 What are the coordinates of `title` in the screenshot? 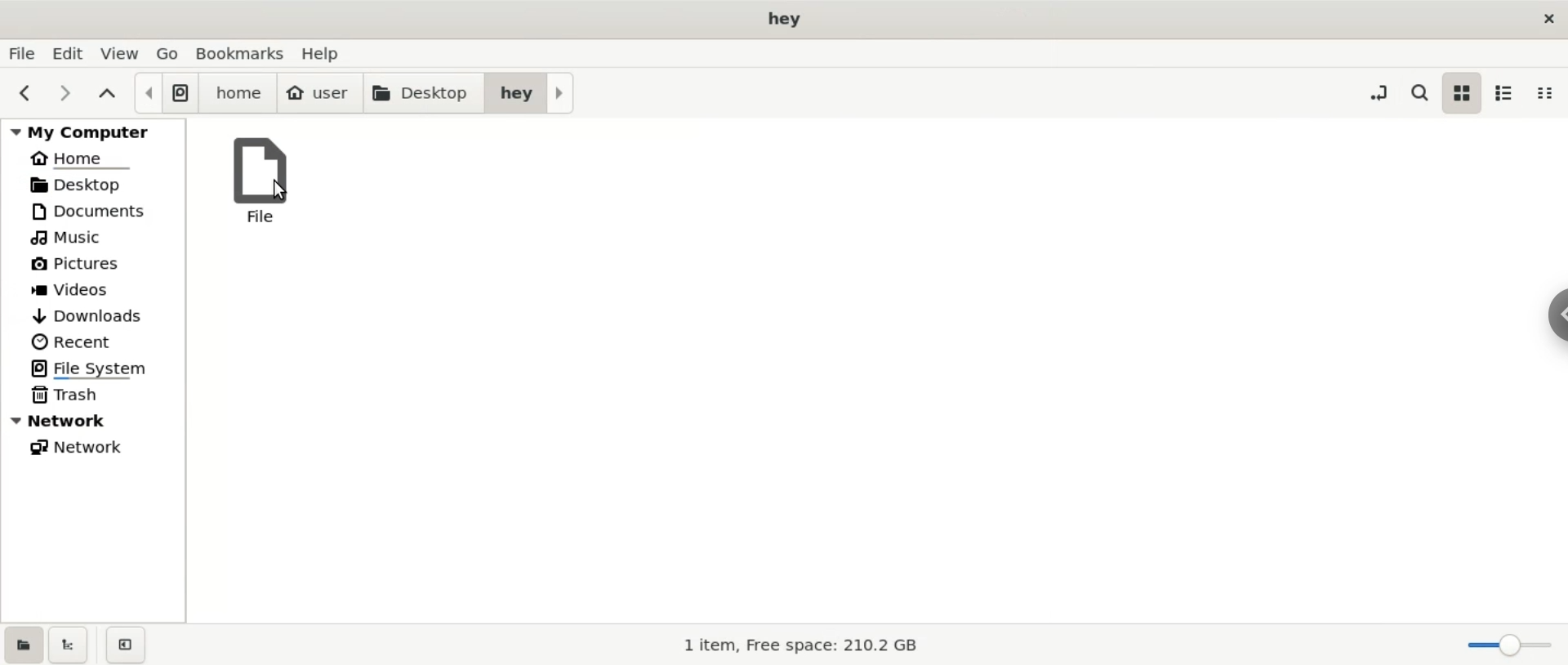 It's located at (784, 19).